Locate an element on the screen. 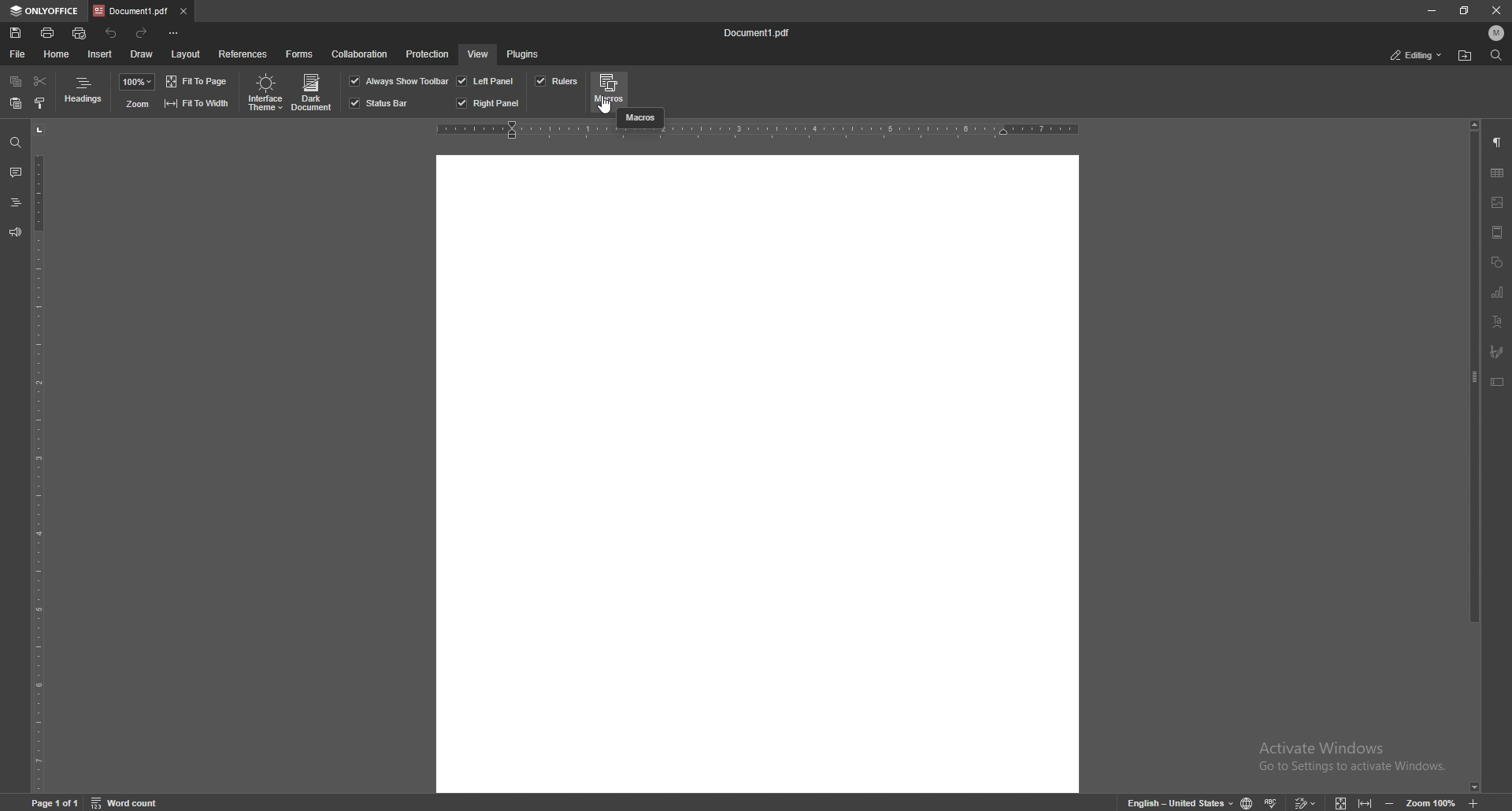  status bar is located at coordinates (380, 103).